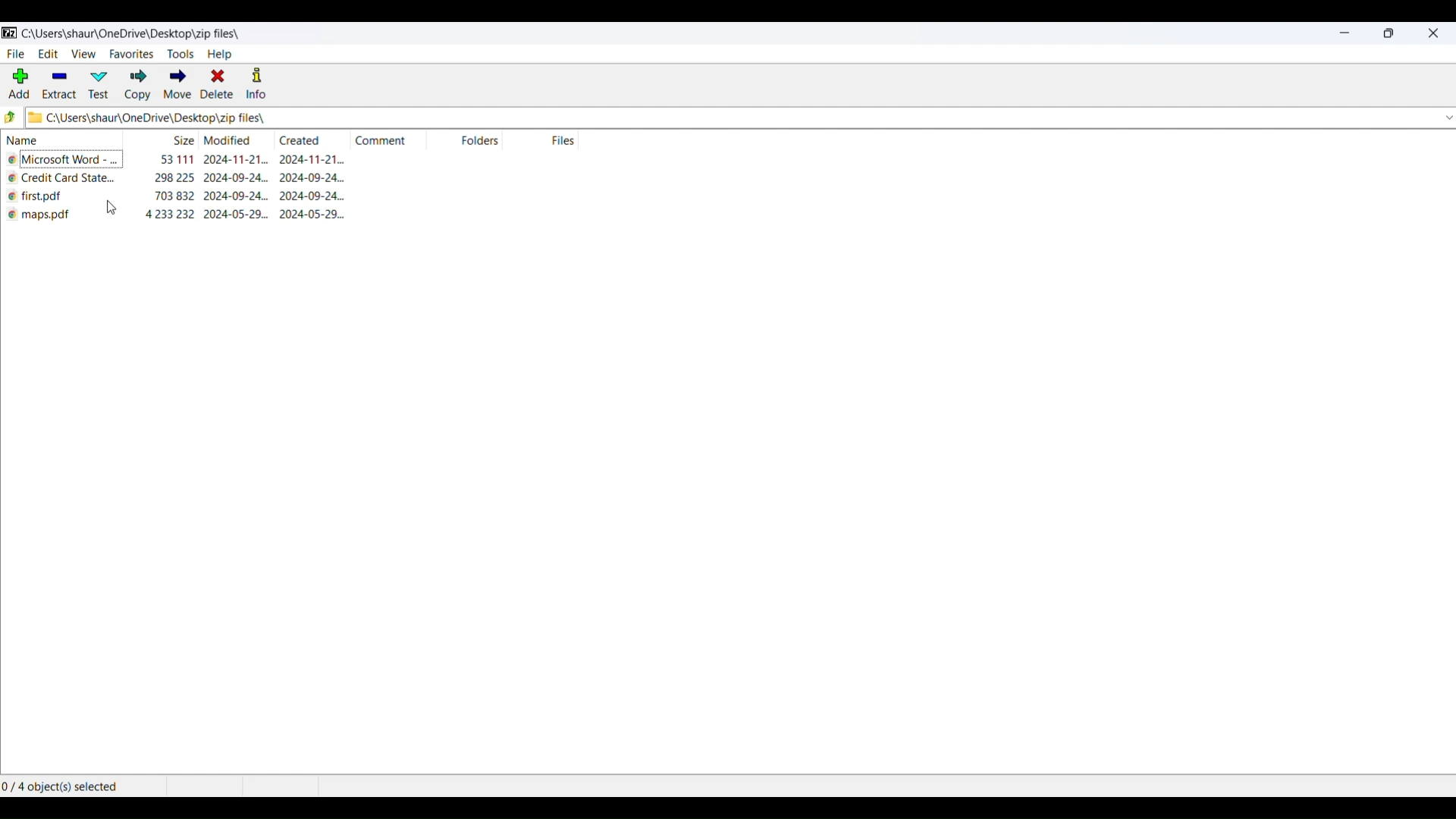 The height and width of the screenshot is (819, 1456). What do you see at coordinates (130, 55) in the screenshot?
I see `favorites` at bounding box center [130, 55].